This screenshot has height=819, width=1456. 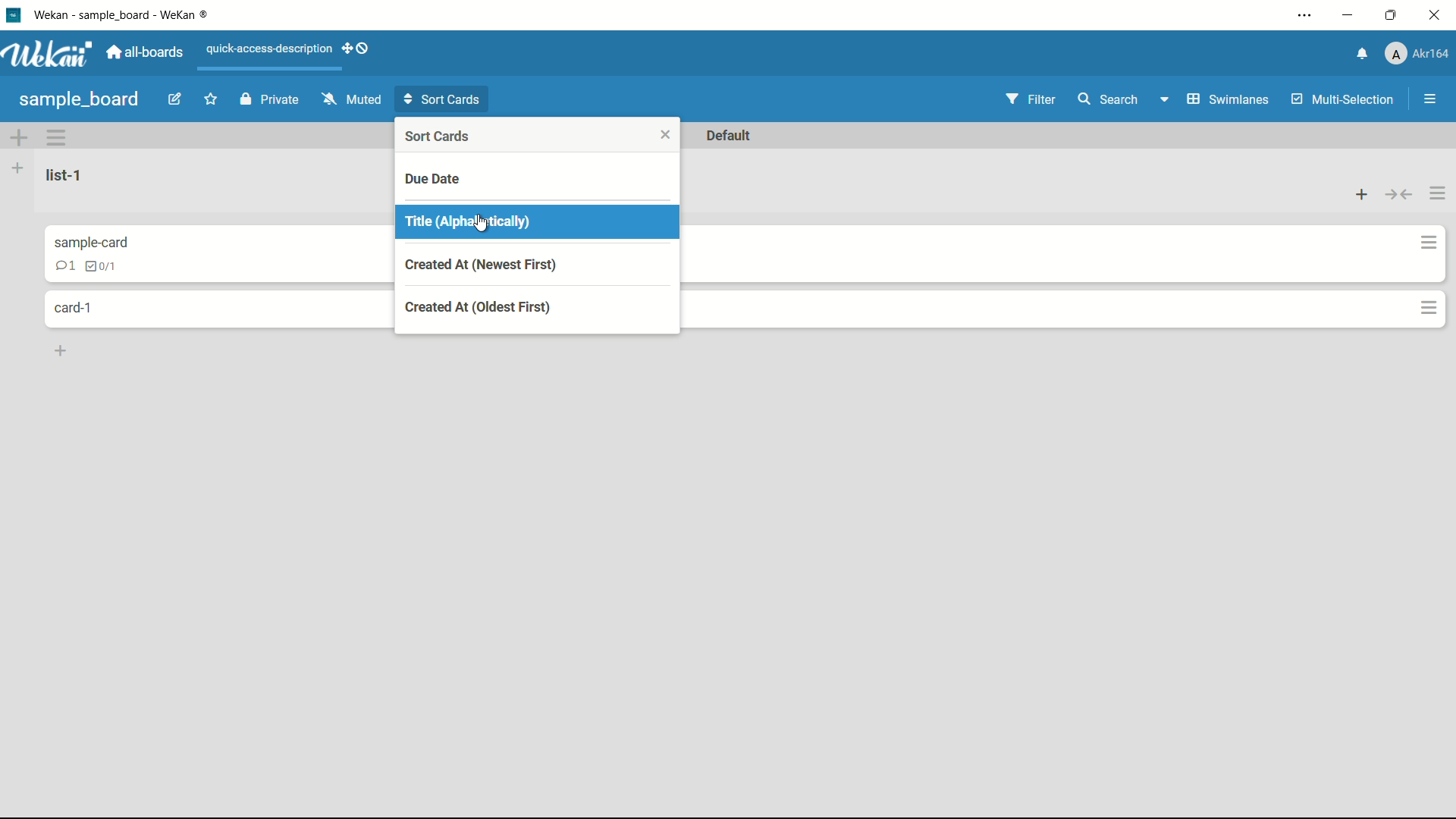 What do you see at coordinates (485, 227) in the screenshot?
I see `cursor` at bounding box center [485, 227].